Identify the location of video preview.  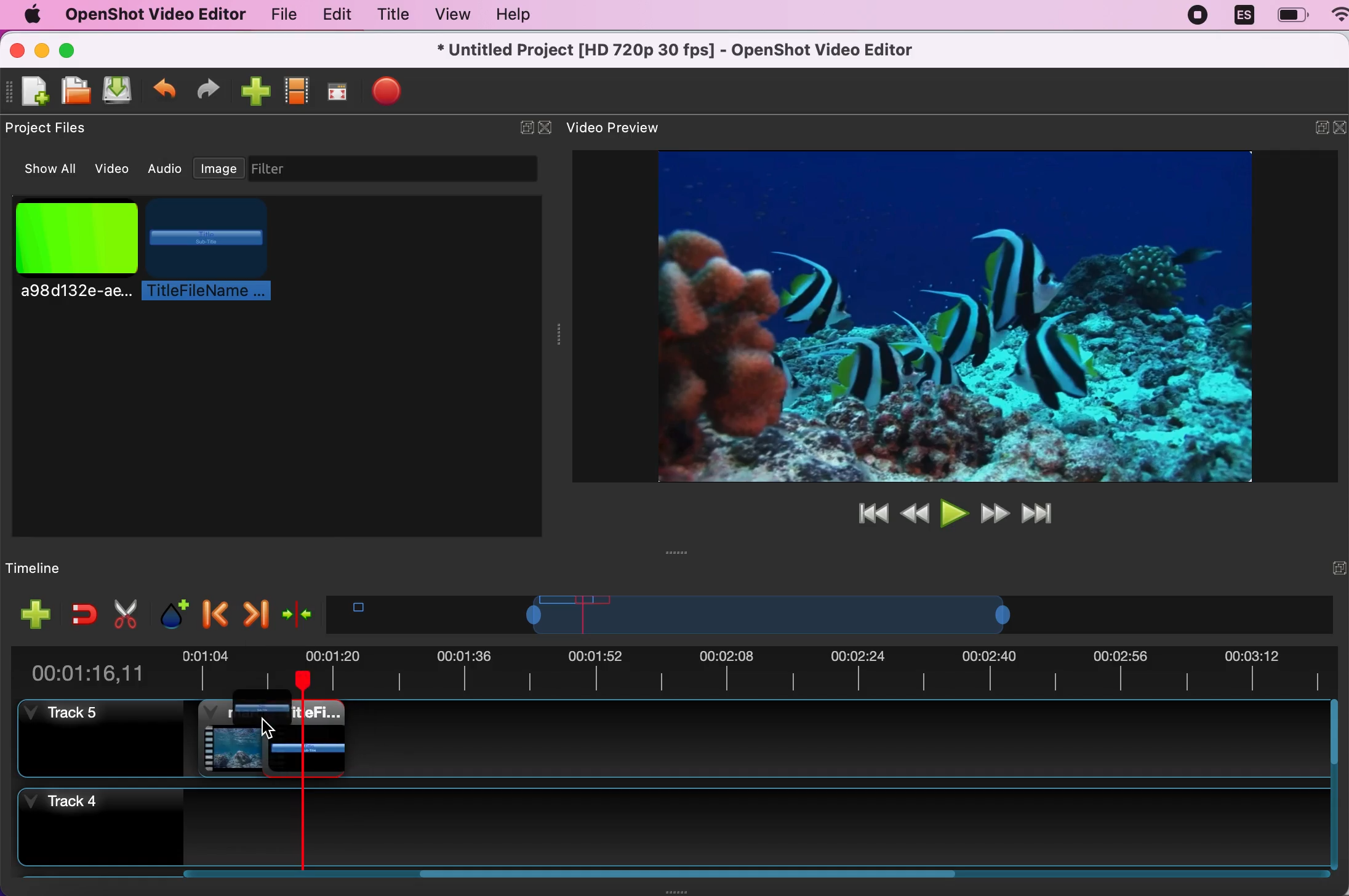
(623, 129).